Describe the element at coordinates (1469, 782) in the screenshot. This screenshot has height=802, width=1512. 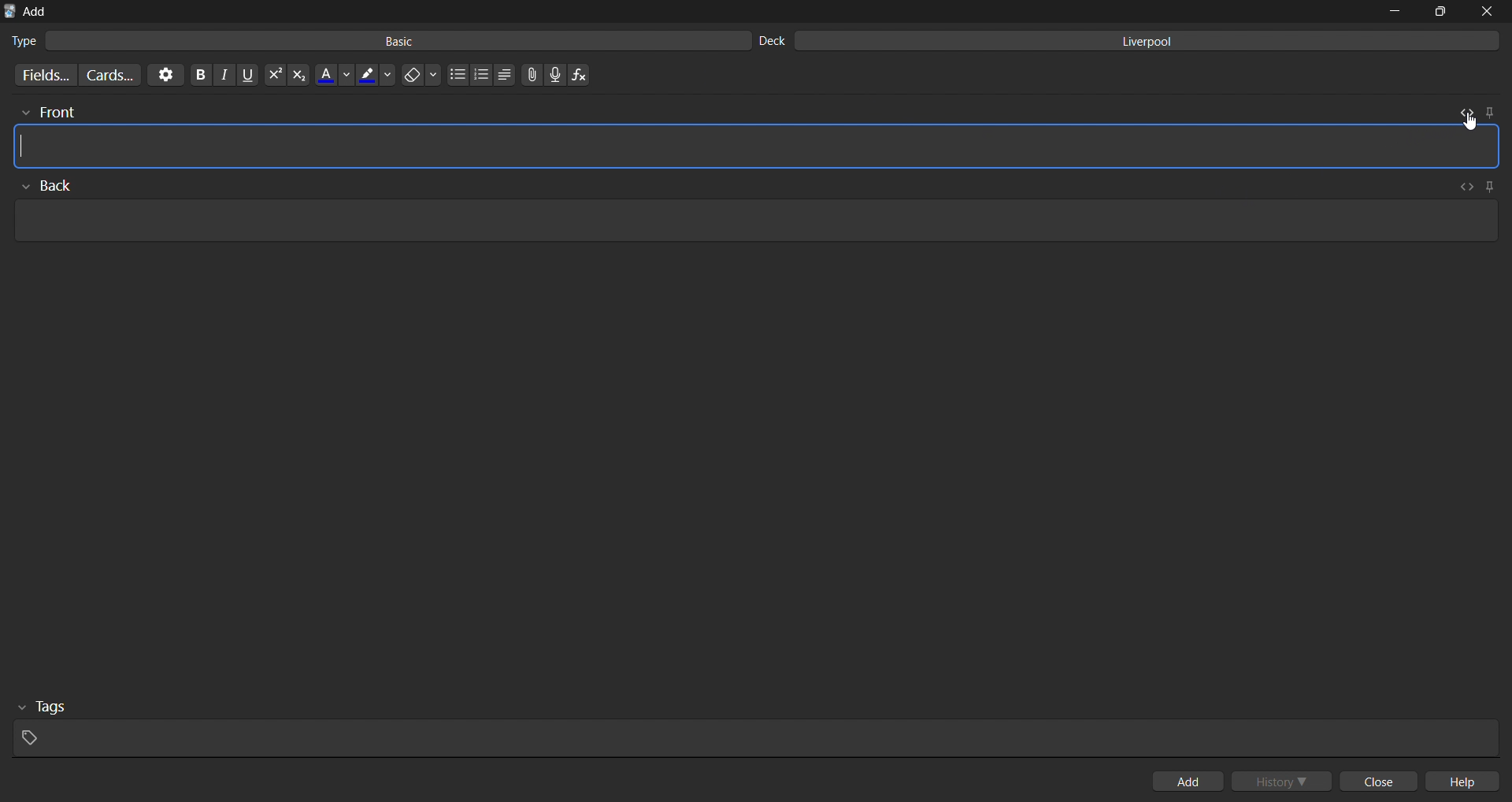
I see `help` at that location.